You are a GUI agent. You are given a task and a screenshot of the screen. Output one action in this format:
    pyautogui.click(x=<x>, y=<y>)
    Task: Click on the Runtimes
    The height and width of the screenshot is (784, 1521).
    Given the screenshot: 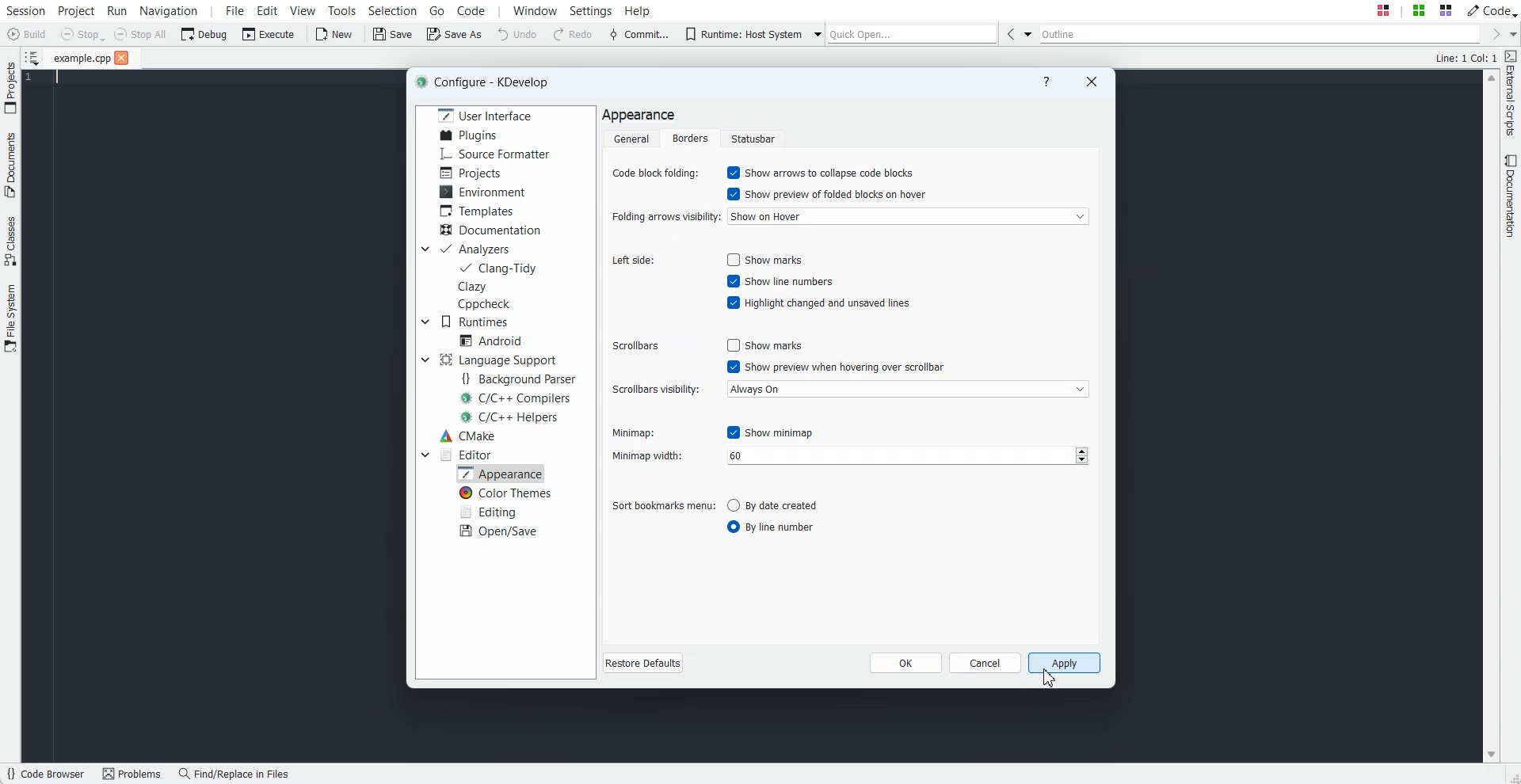 What is the action you would take?
    pyautogui.click(x=475, y=321)
    